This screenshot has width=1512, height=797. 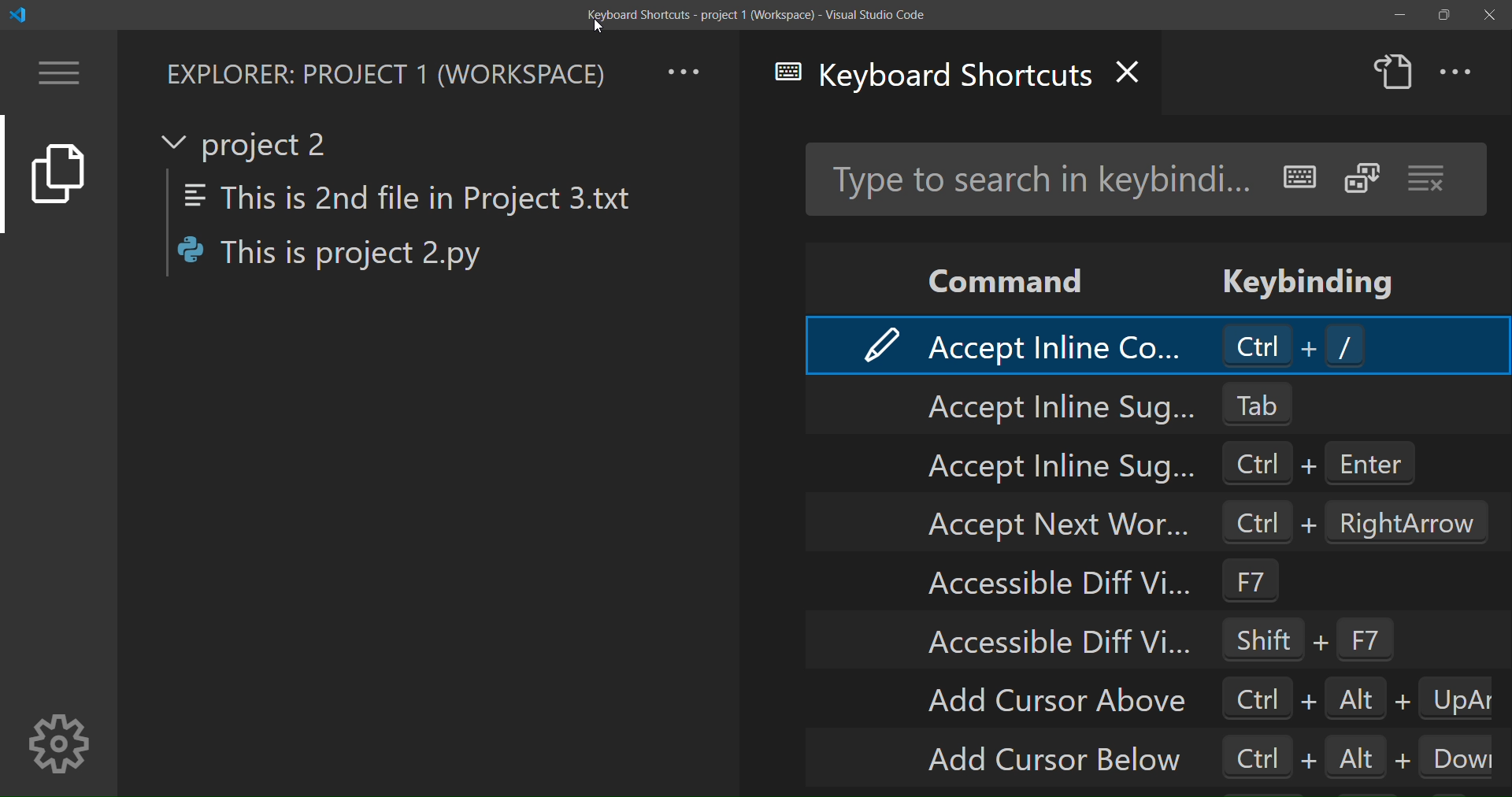 I want to click on type to search, so click(x=1036, y=178).